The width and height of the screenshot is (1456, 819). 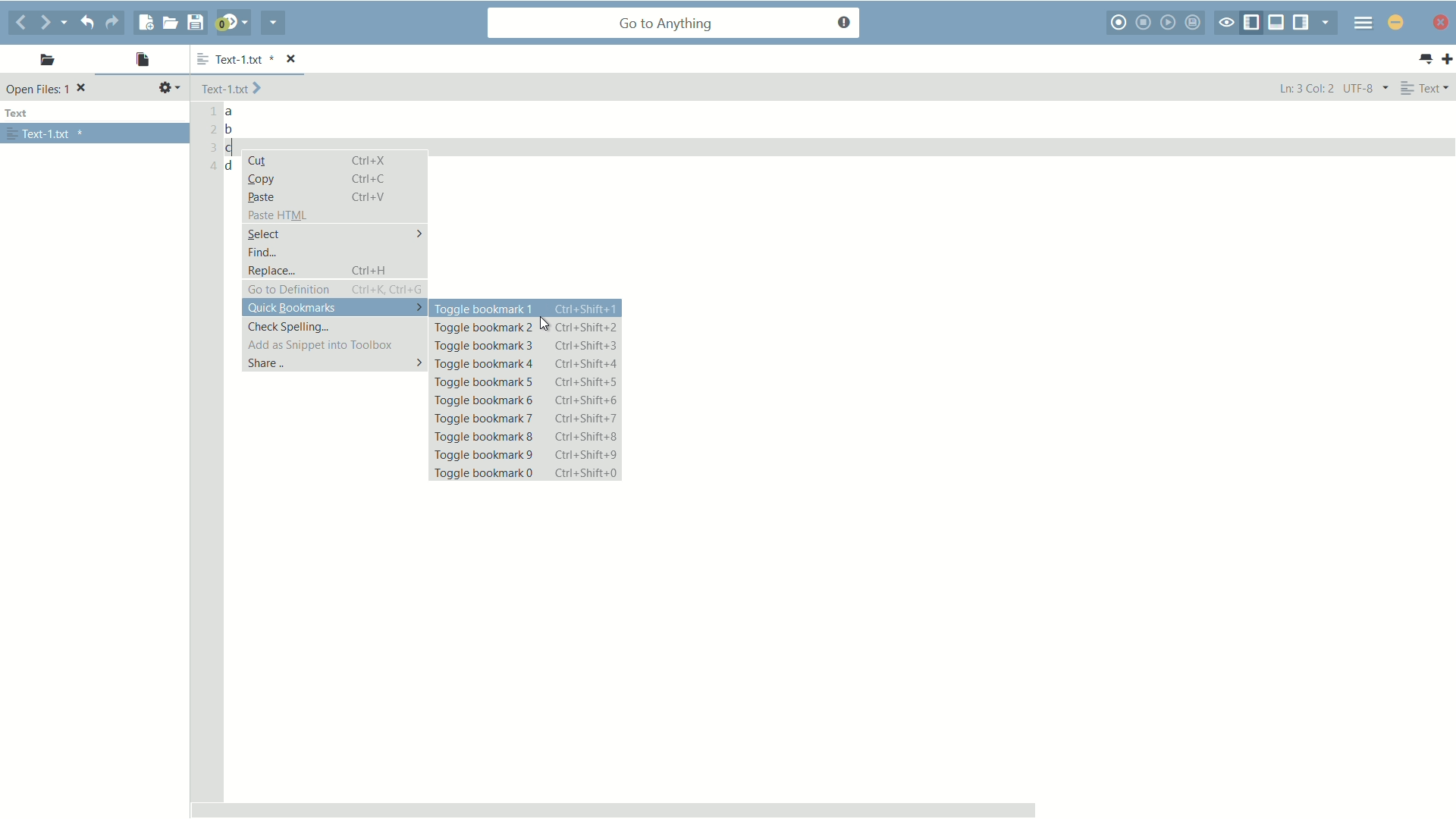 What do you see at coordinates (527, 309) in the screenshot?
I see `toggle bookmark 1` at bounding box center [527, 309].